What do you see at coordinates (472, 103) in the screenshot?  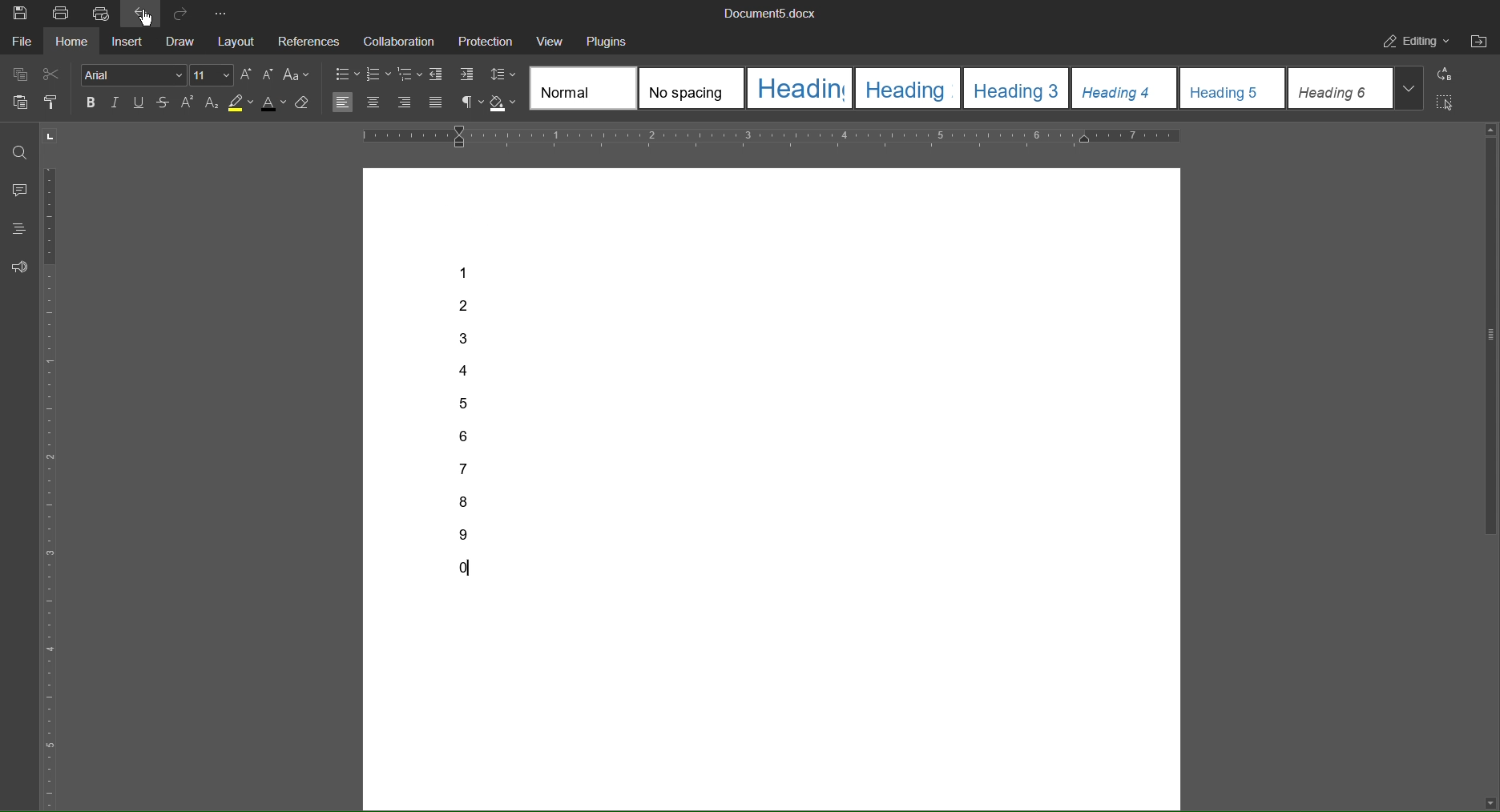 I see `Nonprinting Characters` at bounding box center [472, 103].